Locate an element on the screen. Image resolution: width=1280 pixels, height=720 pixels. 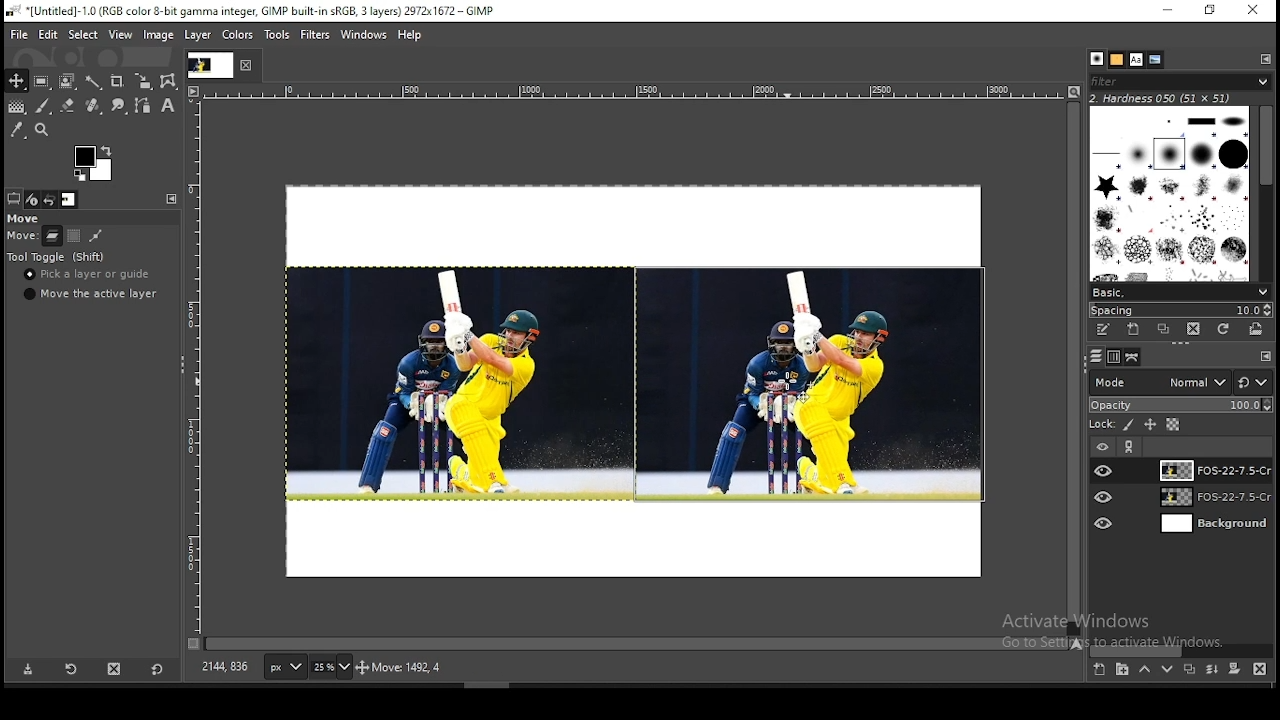
device status is located at coordinates (33, 199).